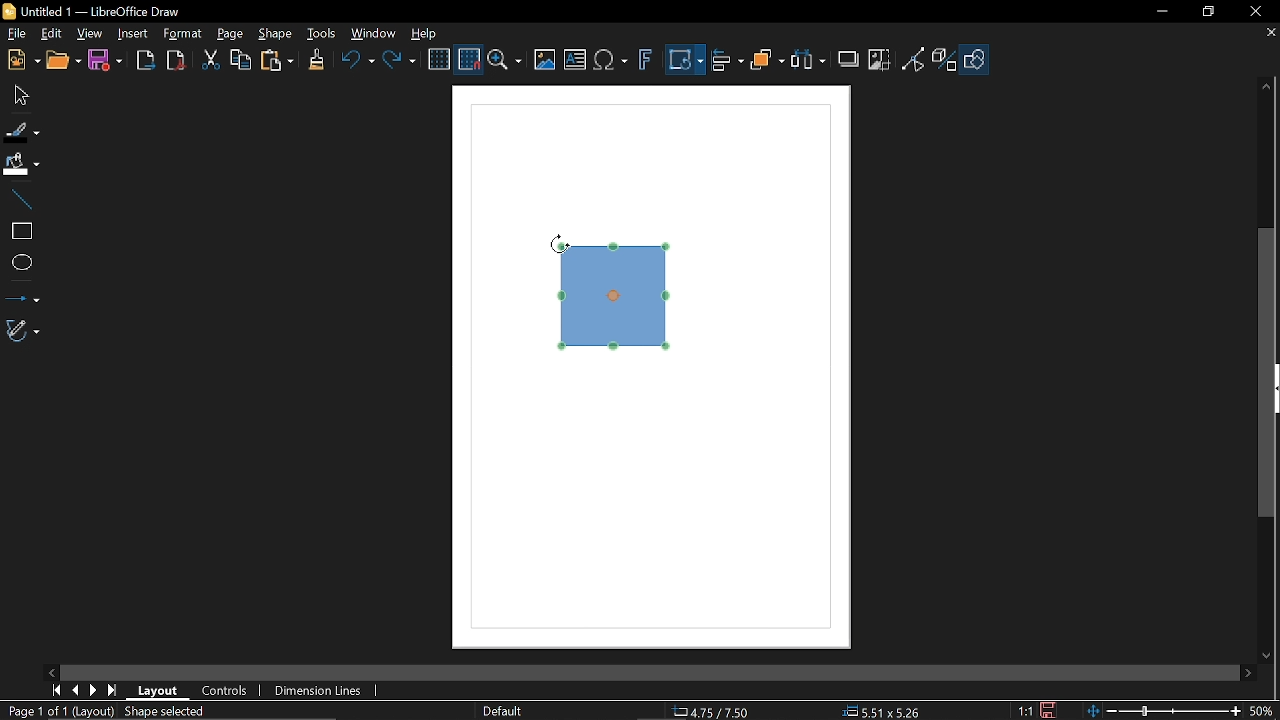 The image size is (1280, 720). What do you see at coordinates (727, 60) in the screenshot?
I see `Align` at bounding box center [727, 60].